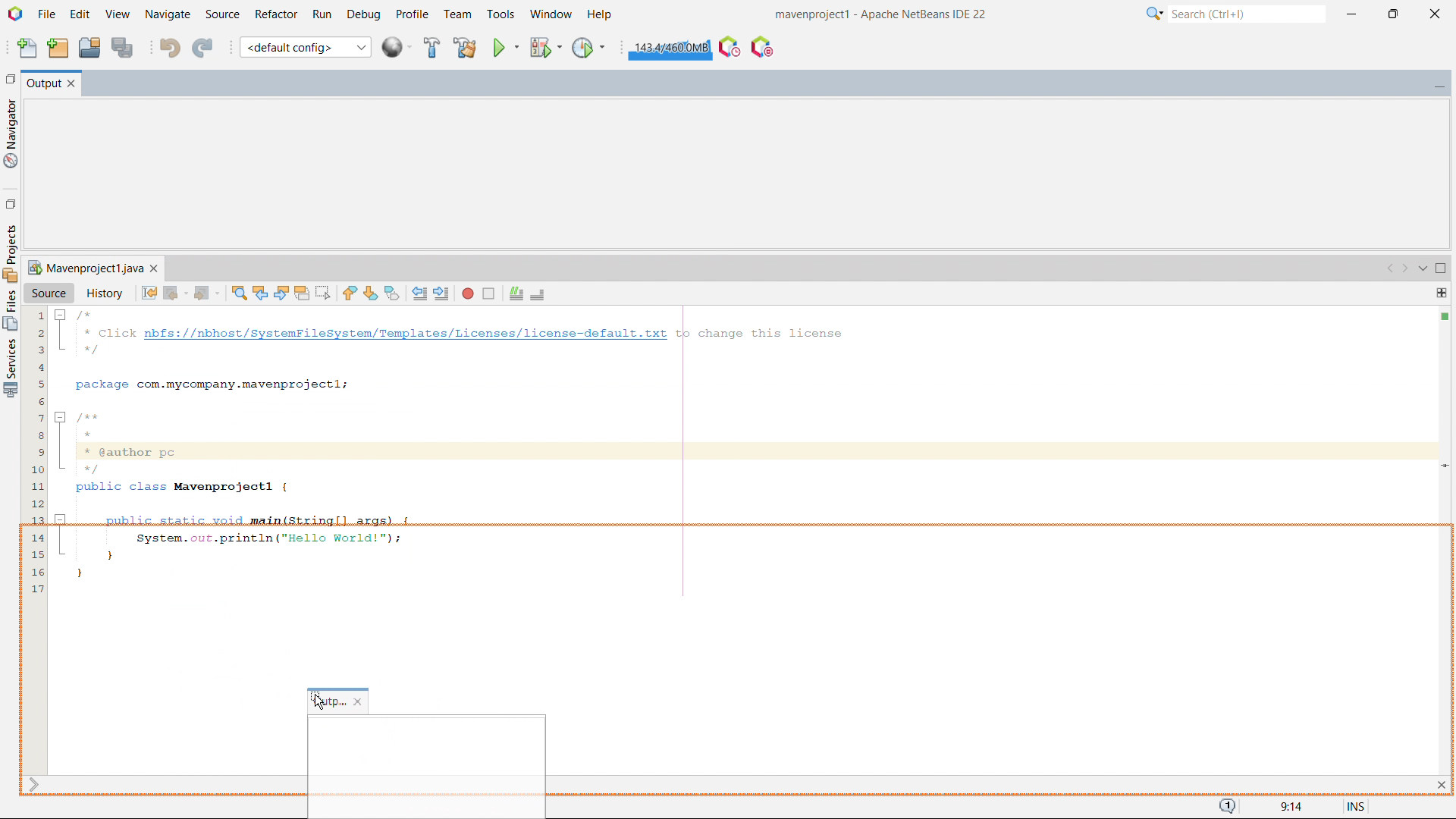 This screenshot has width=1456, height=819. Describe the element at coordinates (80, 14) in the screenshot. I see `edit` at that location.